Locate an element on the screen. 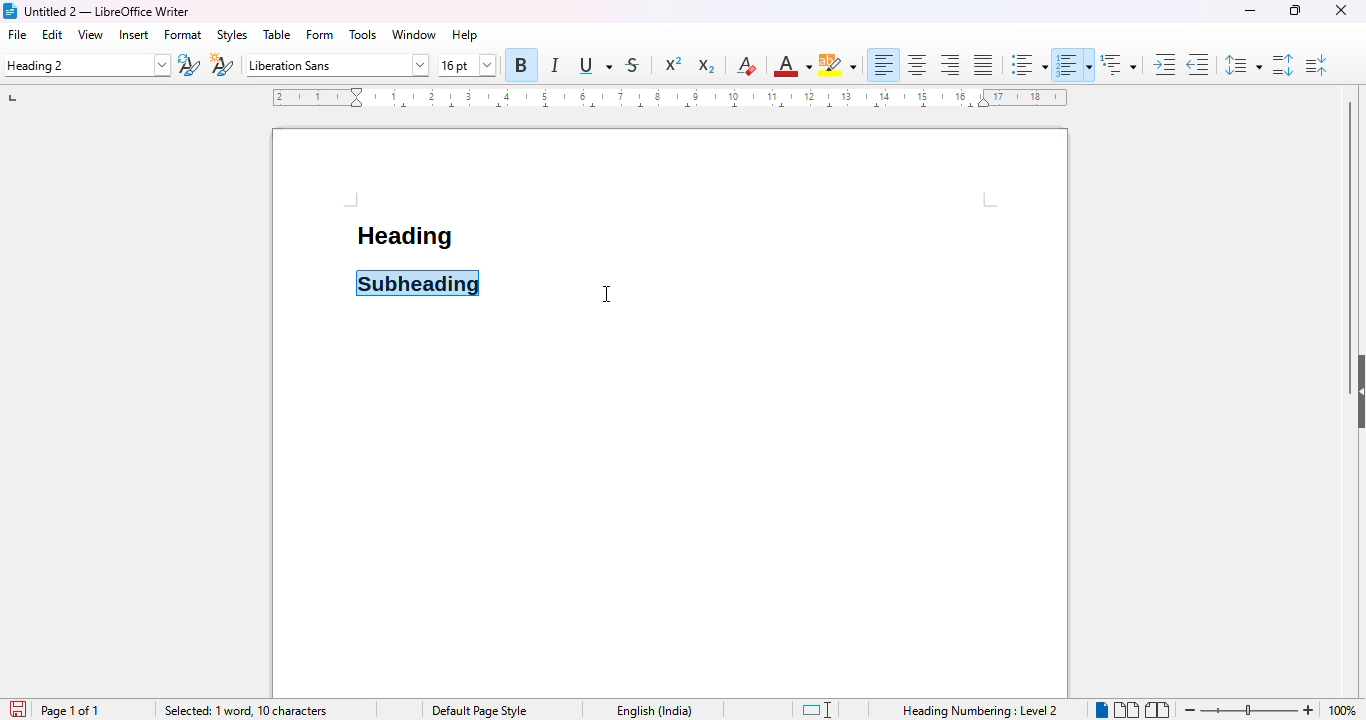  Heading Numbering Level 2 is located at coordinates (980, 710).